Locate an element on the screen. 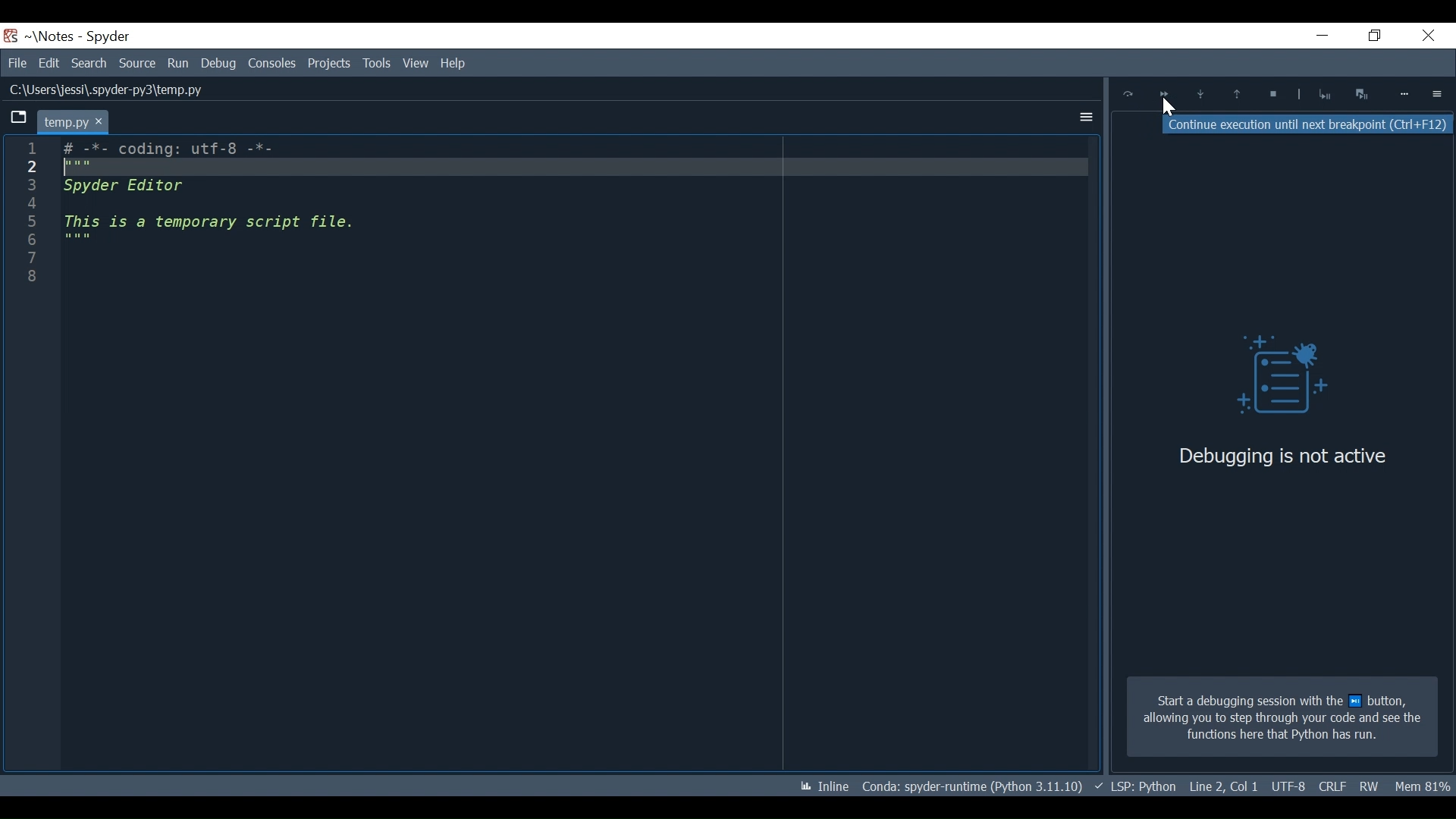  Continue ExecutionUntil next breakpoint toolpit is located at coordinates (1308, 125).